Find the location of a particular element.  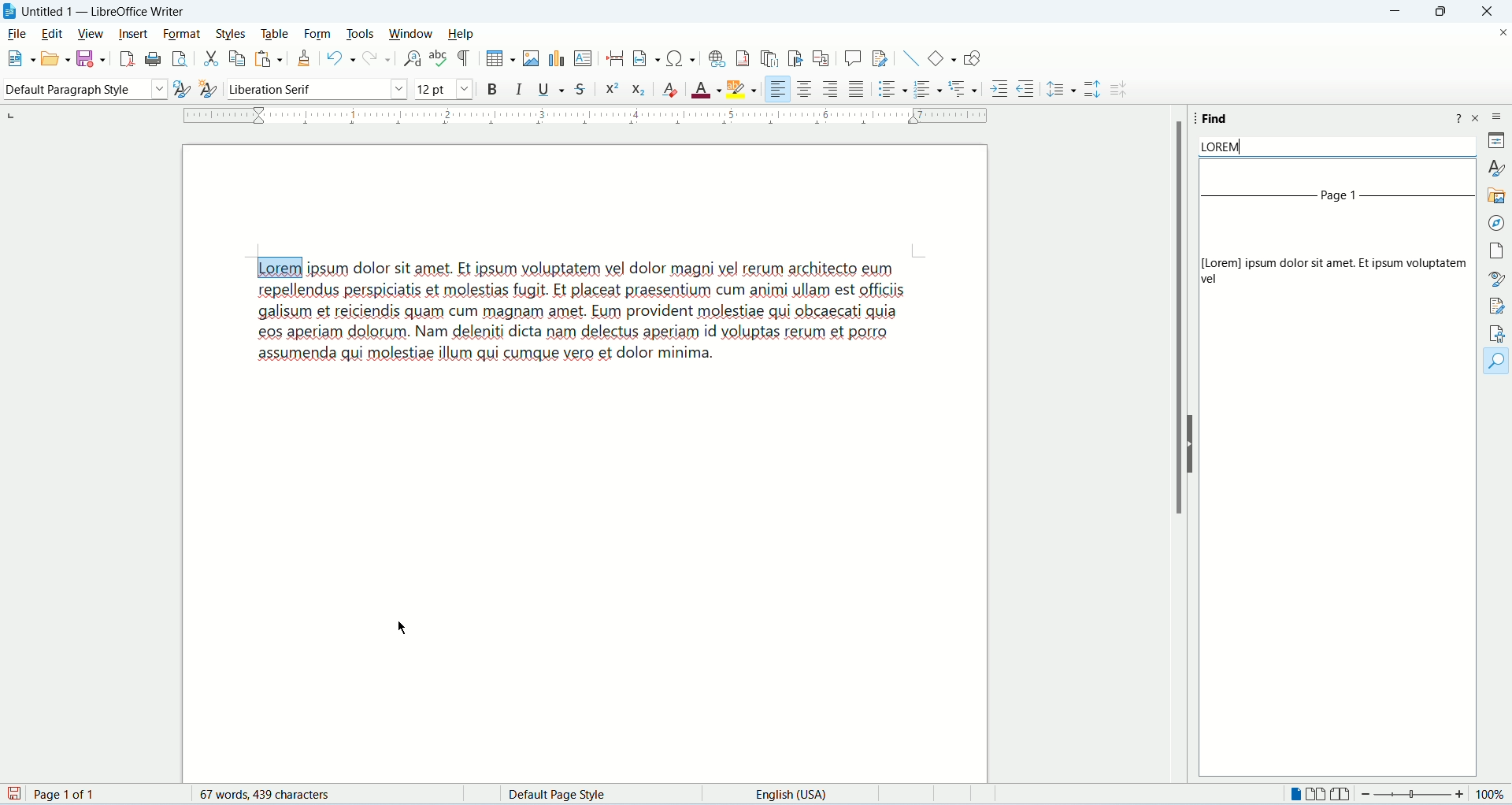

text is located at coordinates (1325, 270).